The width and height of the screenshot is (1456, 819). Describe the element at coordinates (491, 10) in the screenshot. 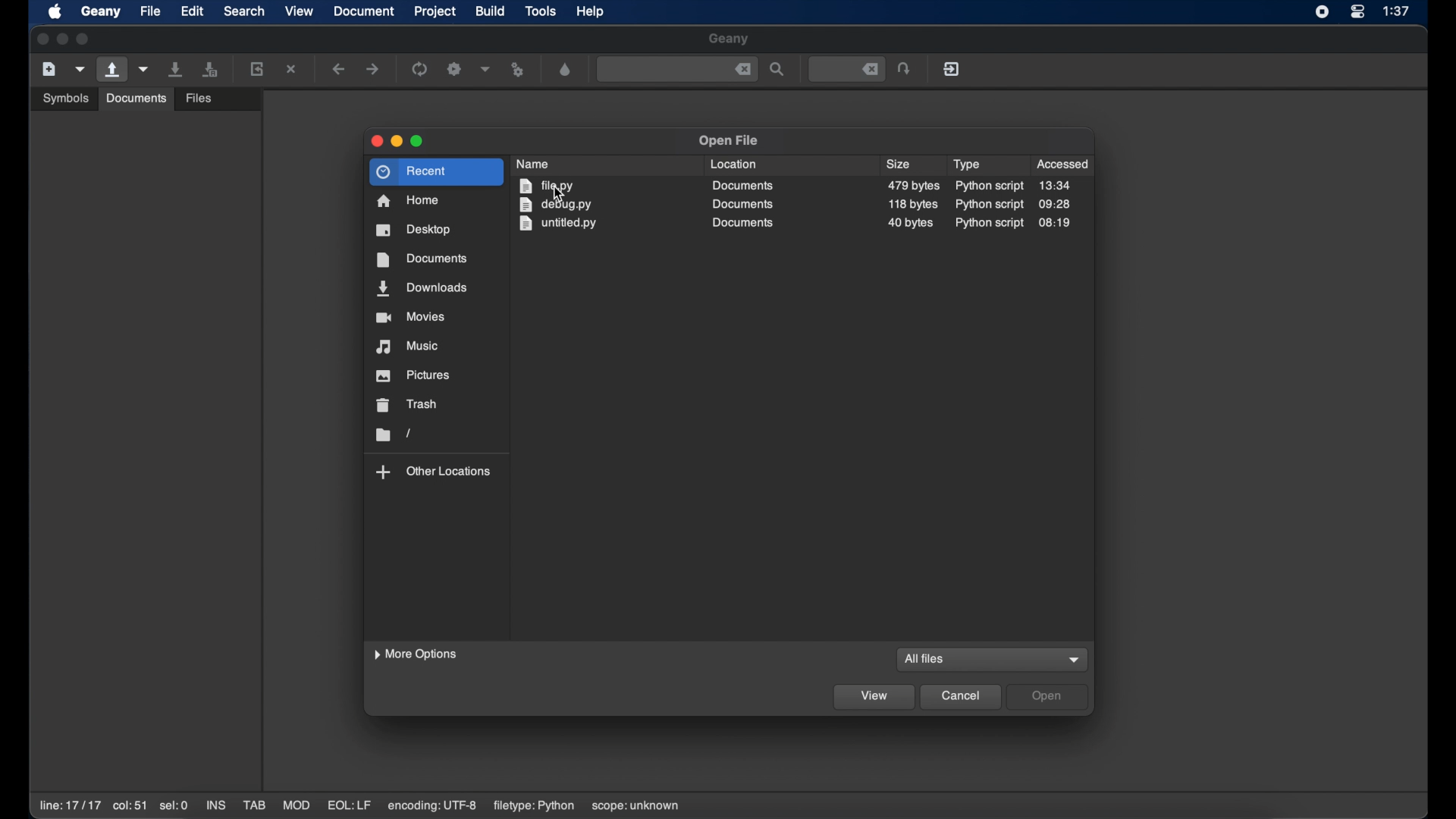

I see `build` at that location.